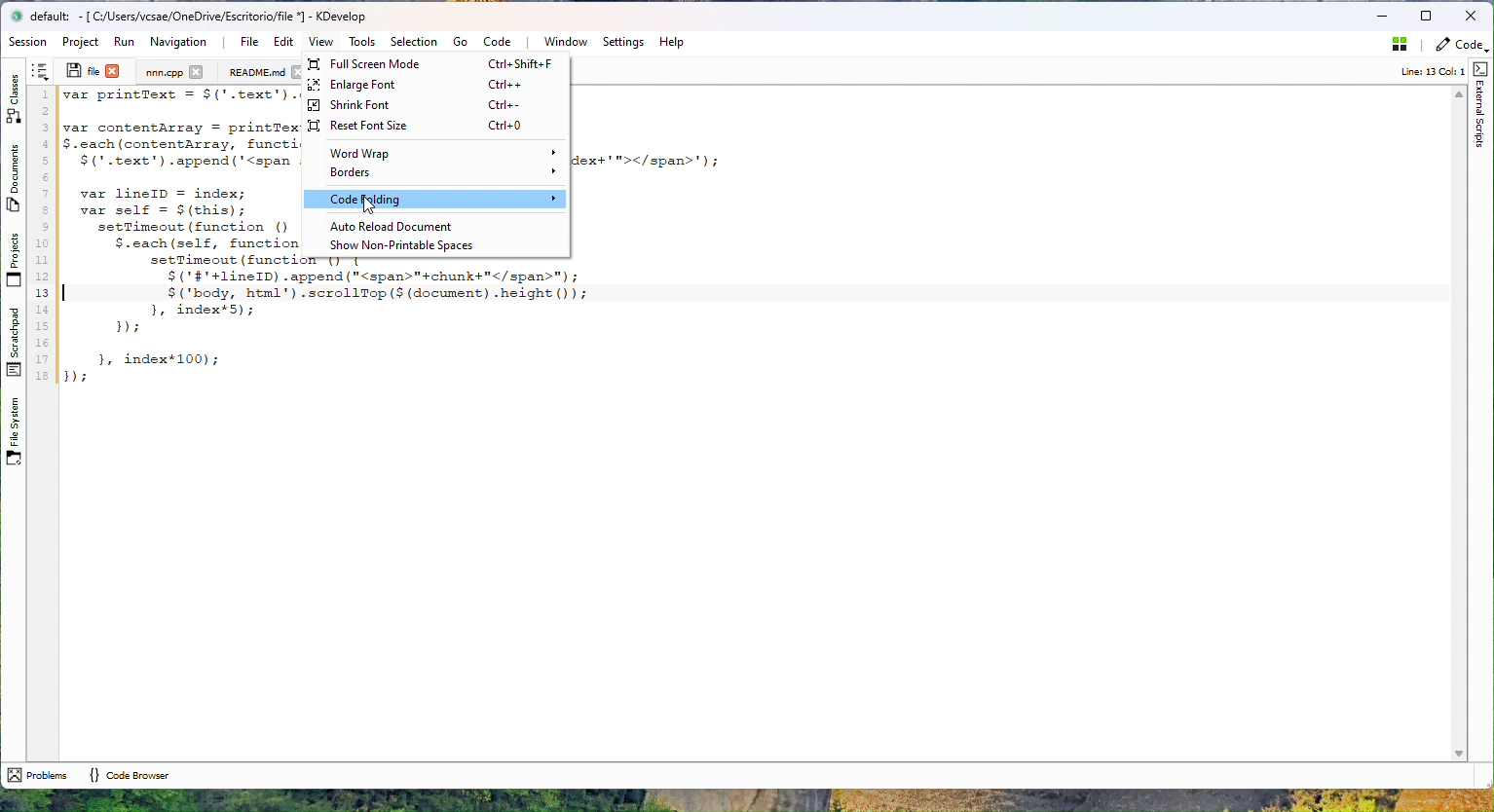  I want to click on cursor, so click(370, 205).